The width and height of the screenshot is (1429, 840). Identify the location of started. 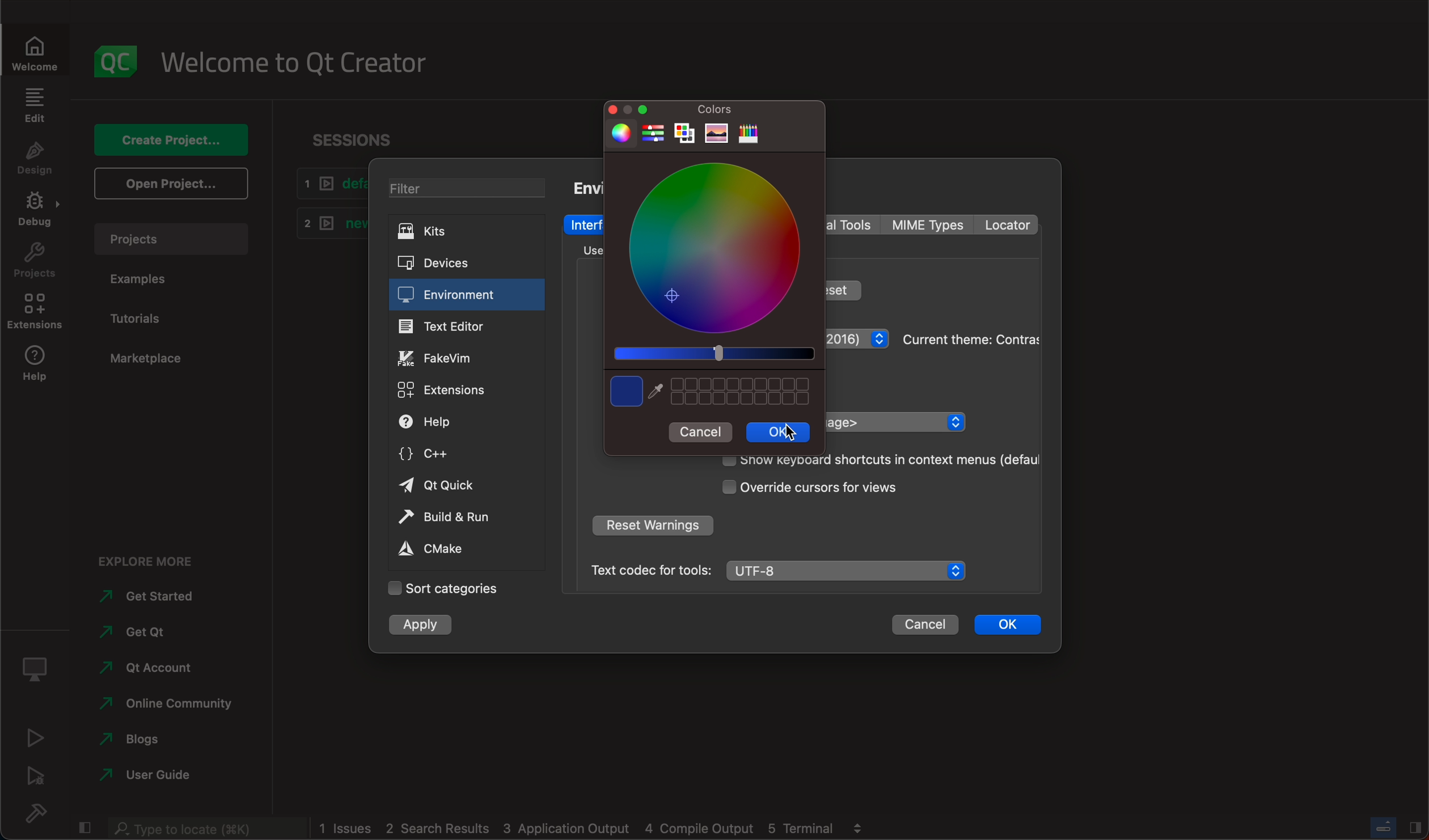
(155, 596).